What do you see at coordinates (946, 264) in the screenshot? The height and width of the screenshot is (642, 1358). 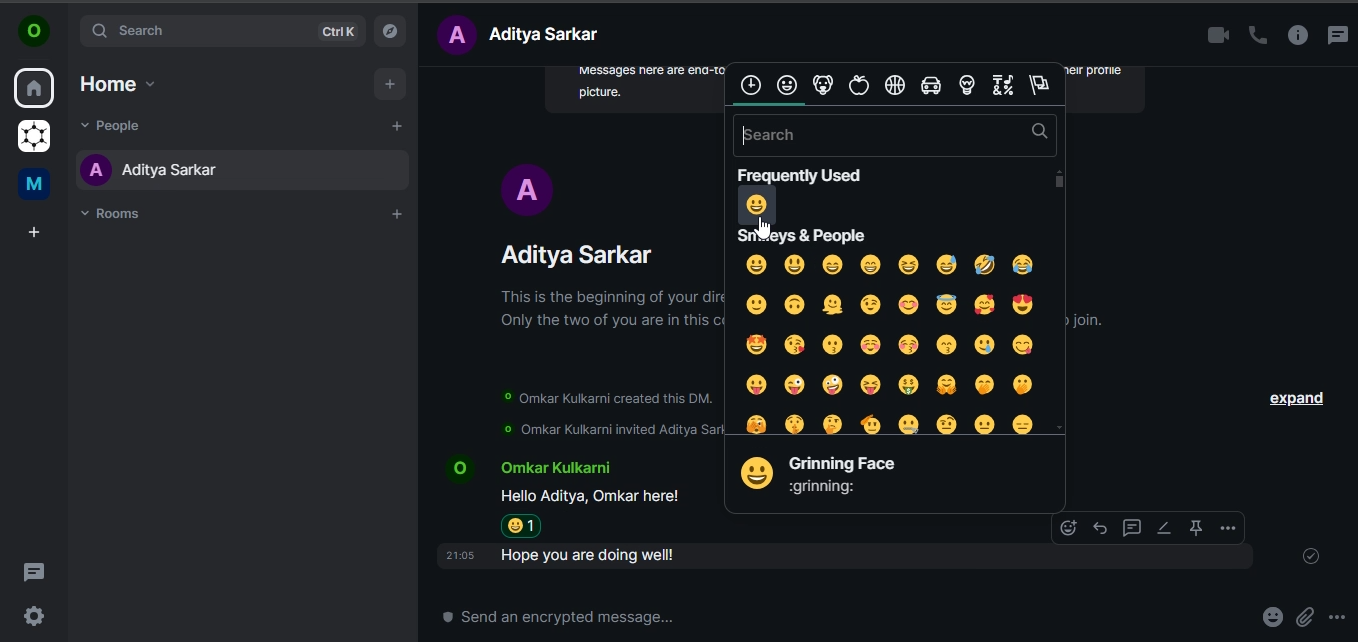 I see `grinning facewith sweat` at bounding box center [946, 264].